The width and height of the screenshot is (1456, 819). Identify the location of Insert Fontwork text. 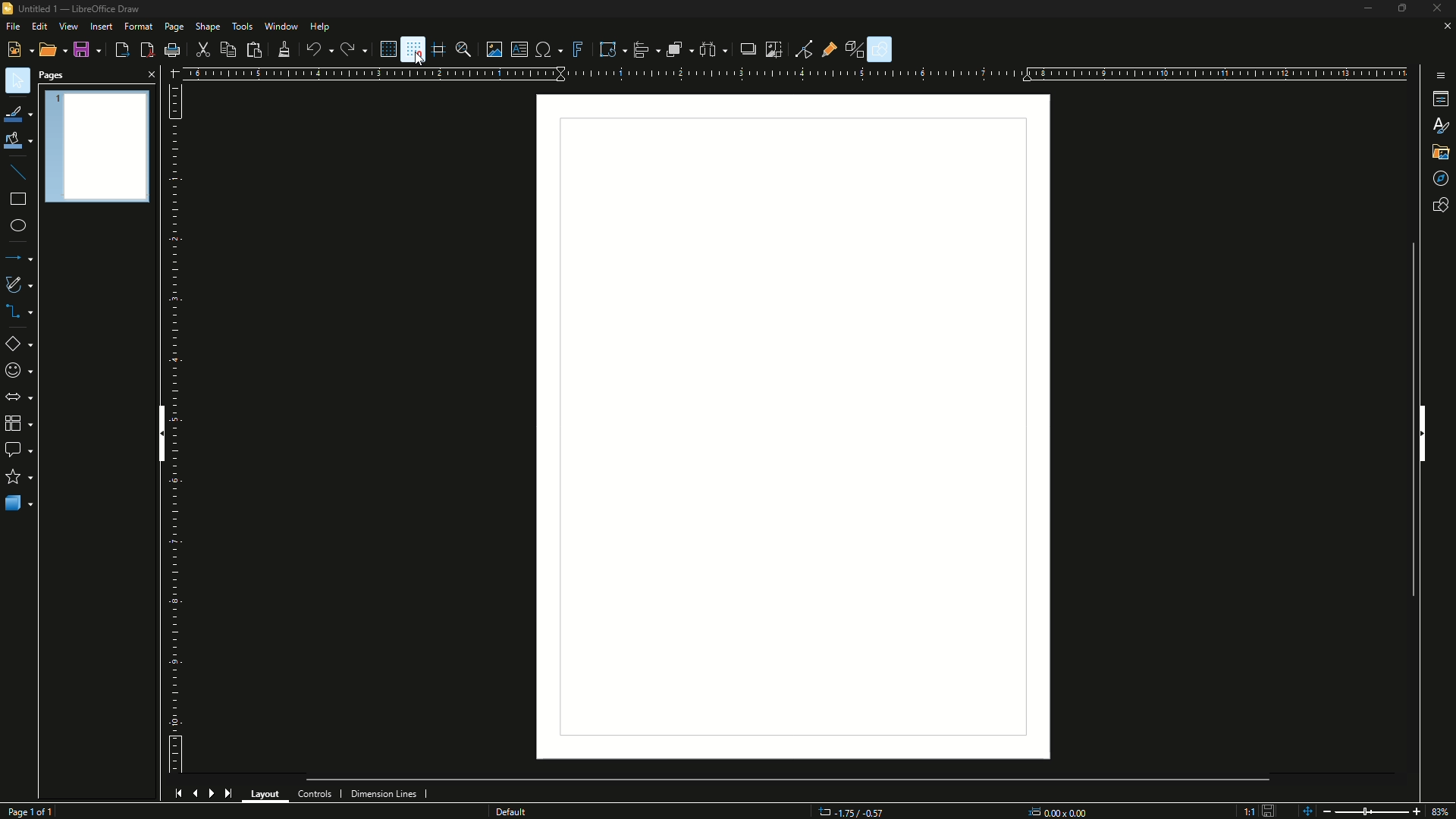
(573, 49).